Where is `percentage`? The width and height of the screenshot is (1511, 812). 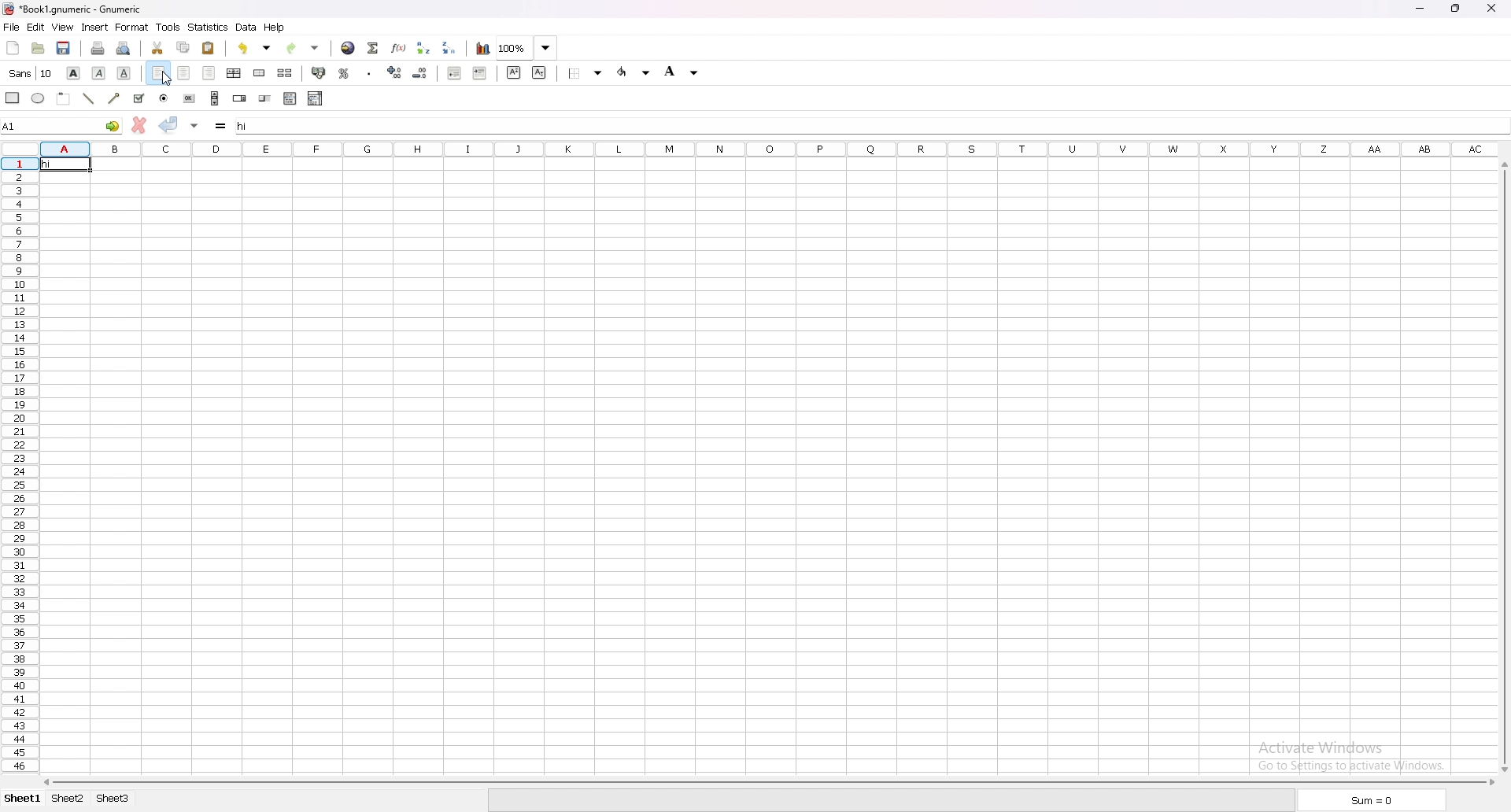
percentage is located at coordinates (344, 74).